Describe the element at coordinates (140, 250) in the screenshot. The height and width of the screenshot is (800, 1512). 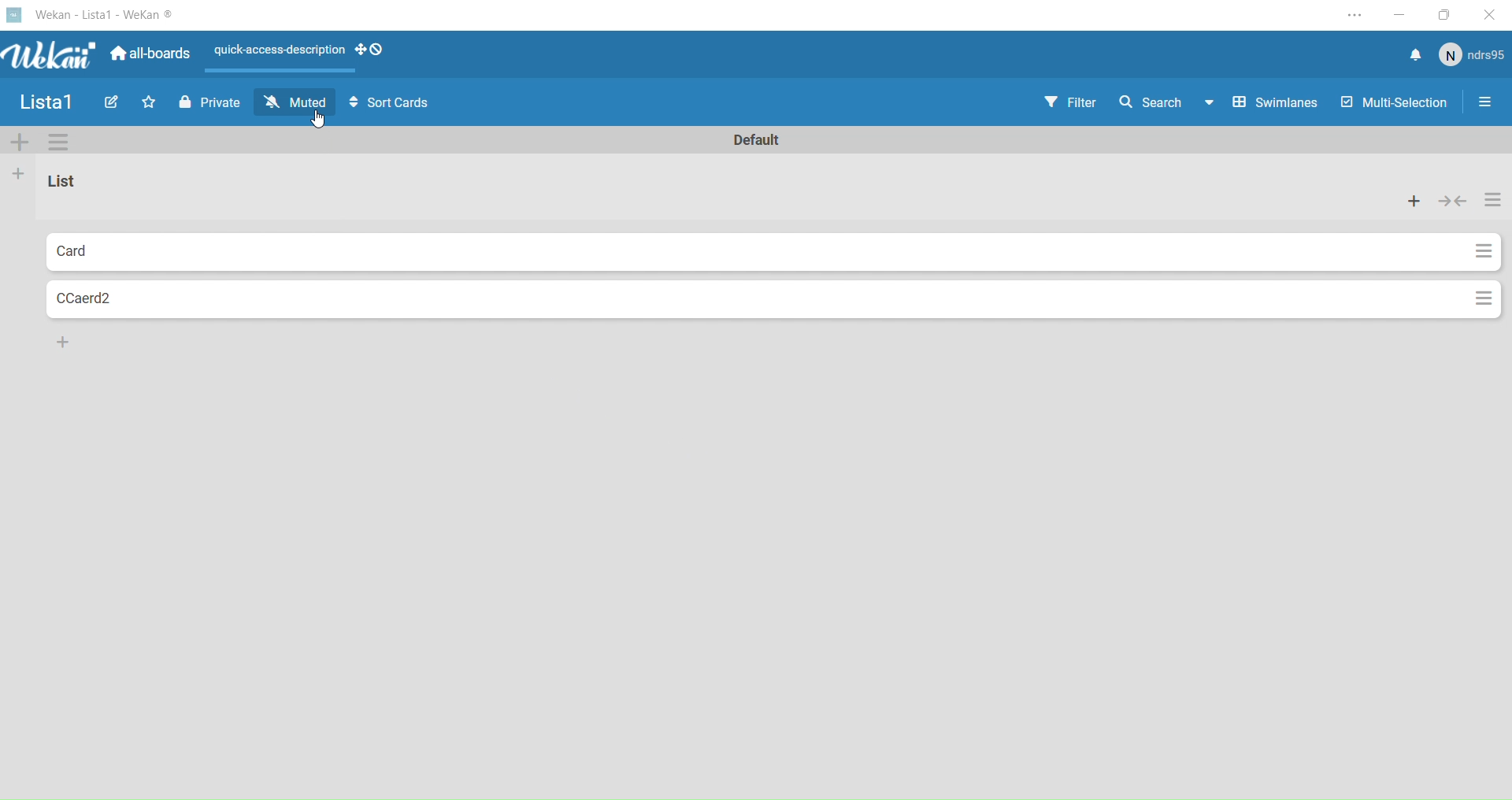
I see `Card` at that location.